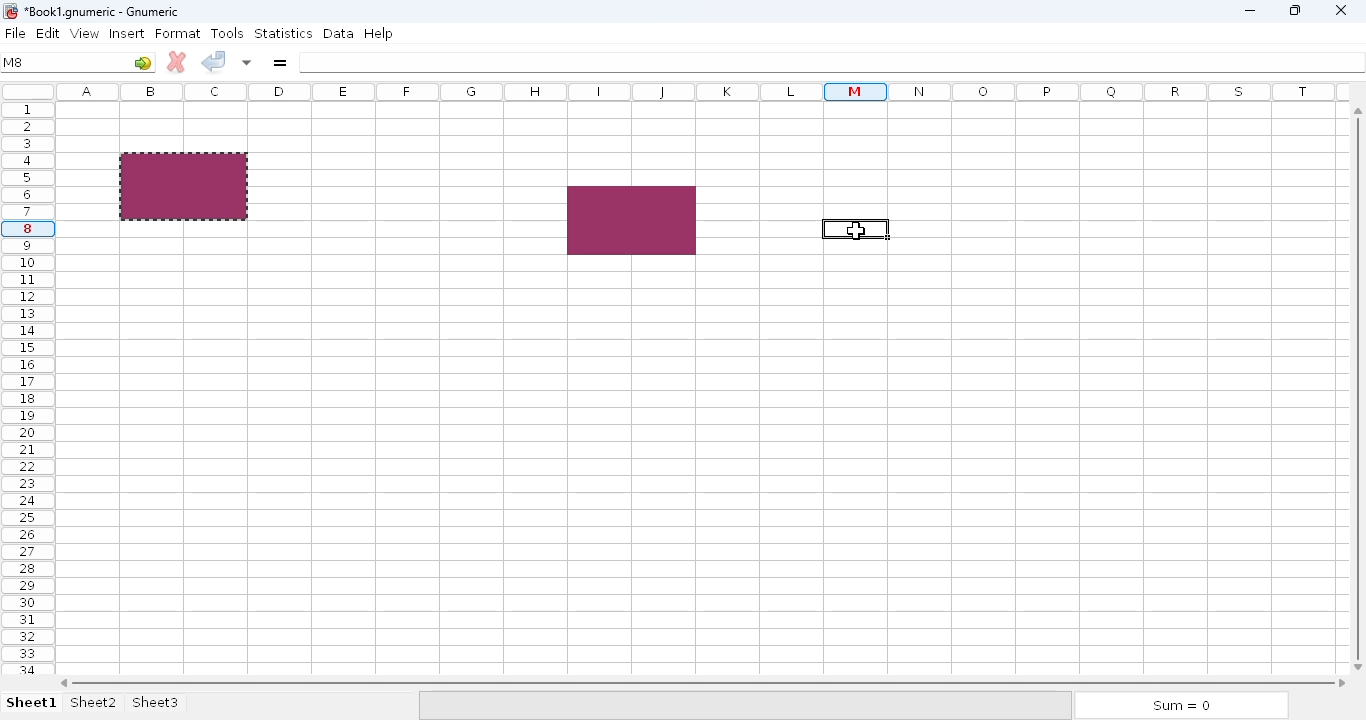 The image size is (1366, 720). I want to click on accept change, so click(215, 61).